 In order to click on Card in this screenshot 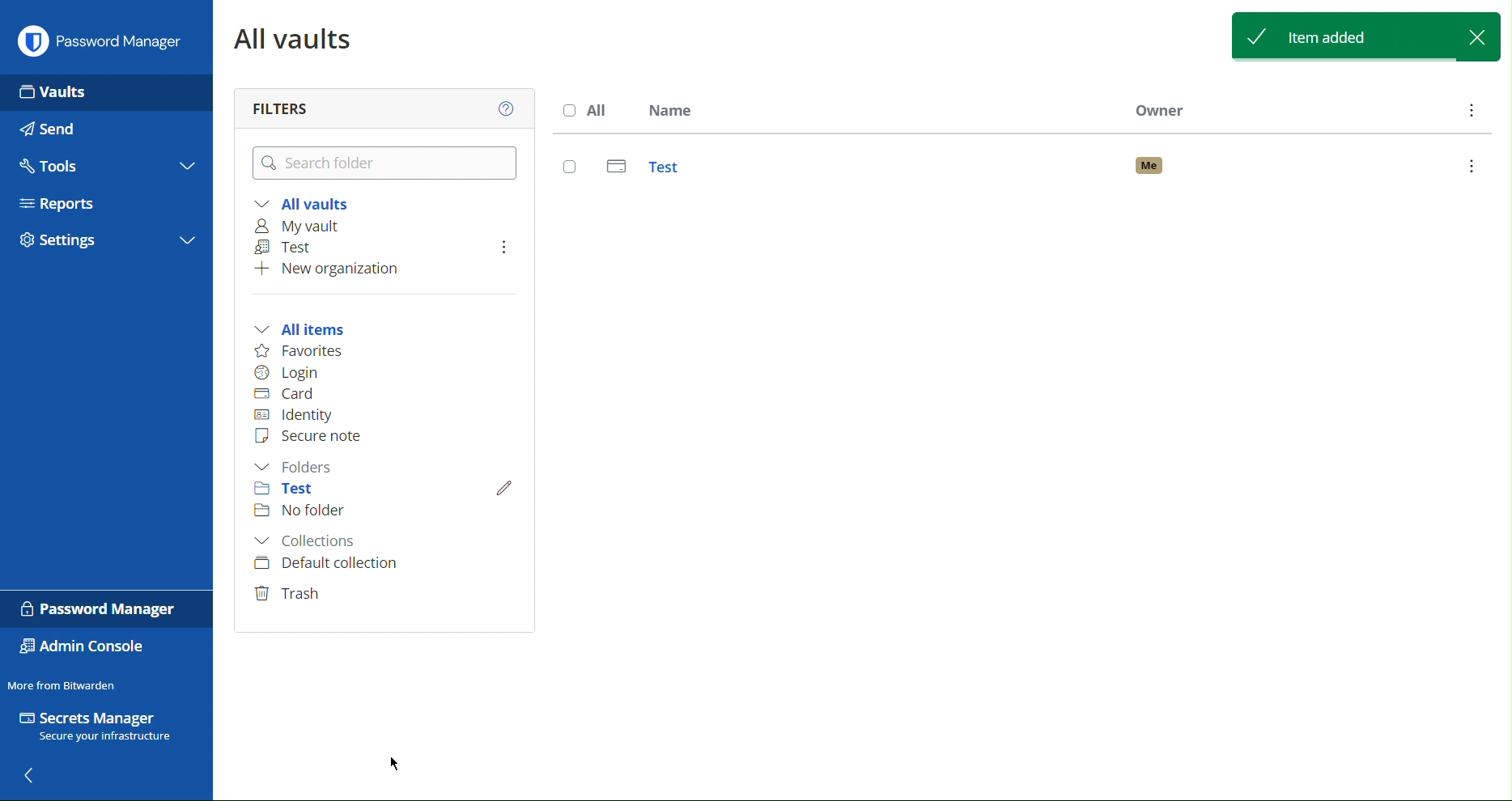, I will do `click(293, 396)`.